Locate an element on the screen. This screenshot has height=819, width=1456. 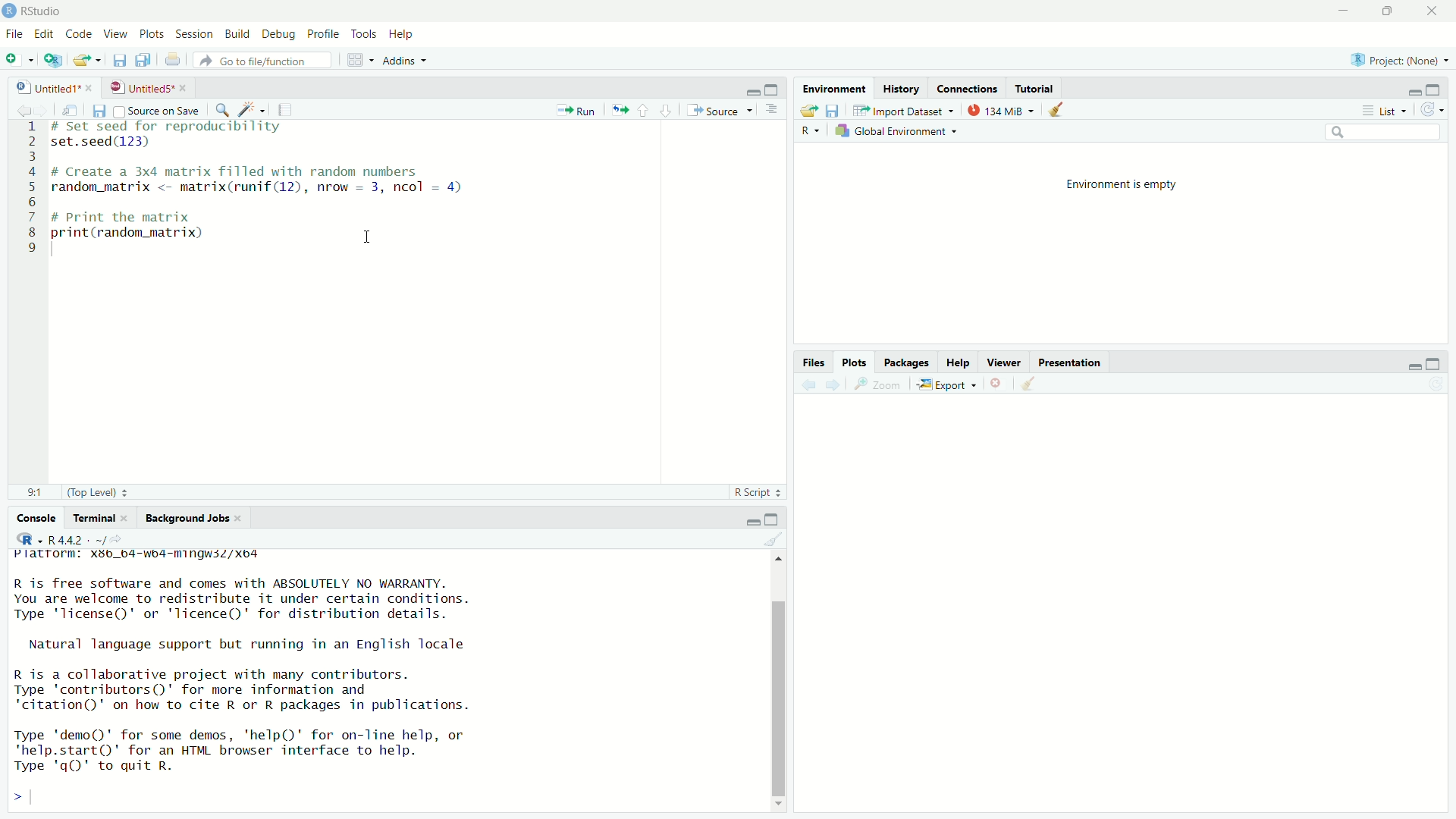
close is located at coordinates (997, 383).